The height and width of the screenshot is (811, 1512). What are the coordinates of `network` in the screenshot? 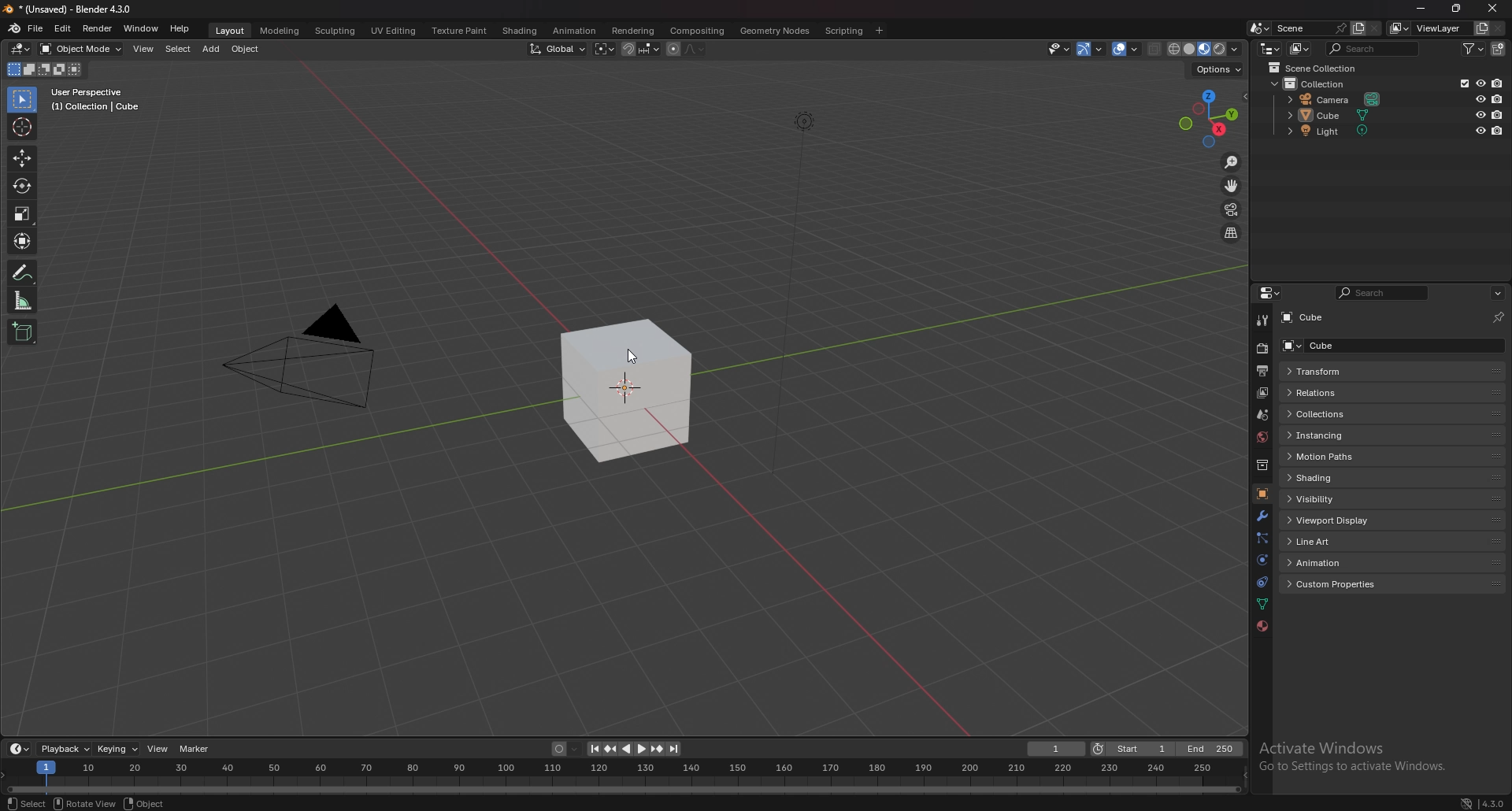 It's located at (1467, 803).